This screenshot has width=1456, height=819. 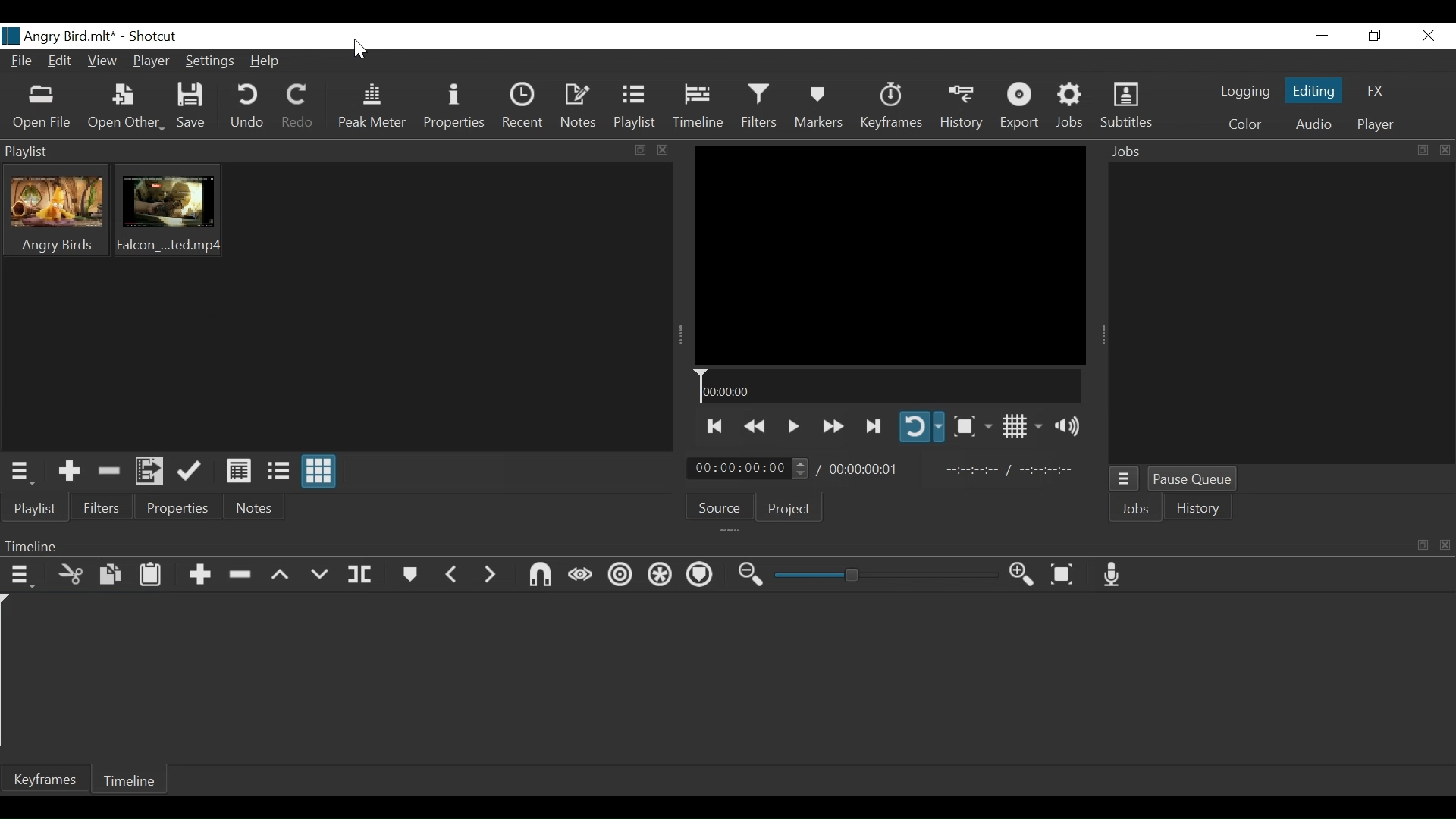 What do you see at coordinates (61, 61) in the screenshot?
I see `Edit` at bounding box center [61, 61].